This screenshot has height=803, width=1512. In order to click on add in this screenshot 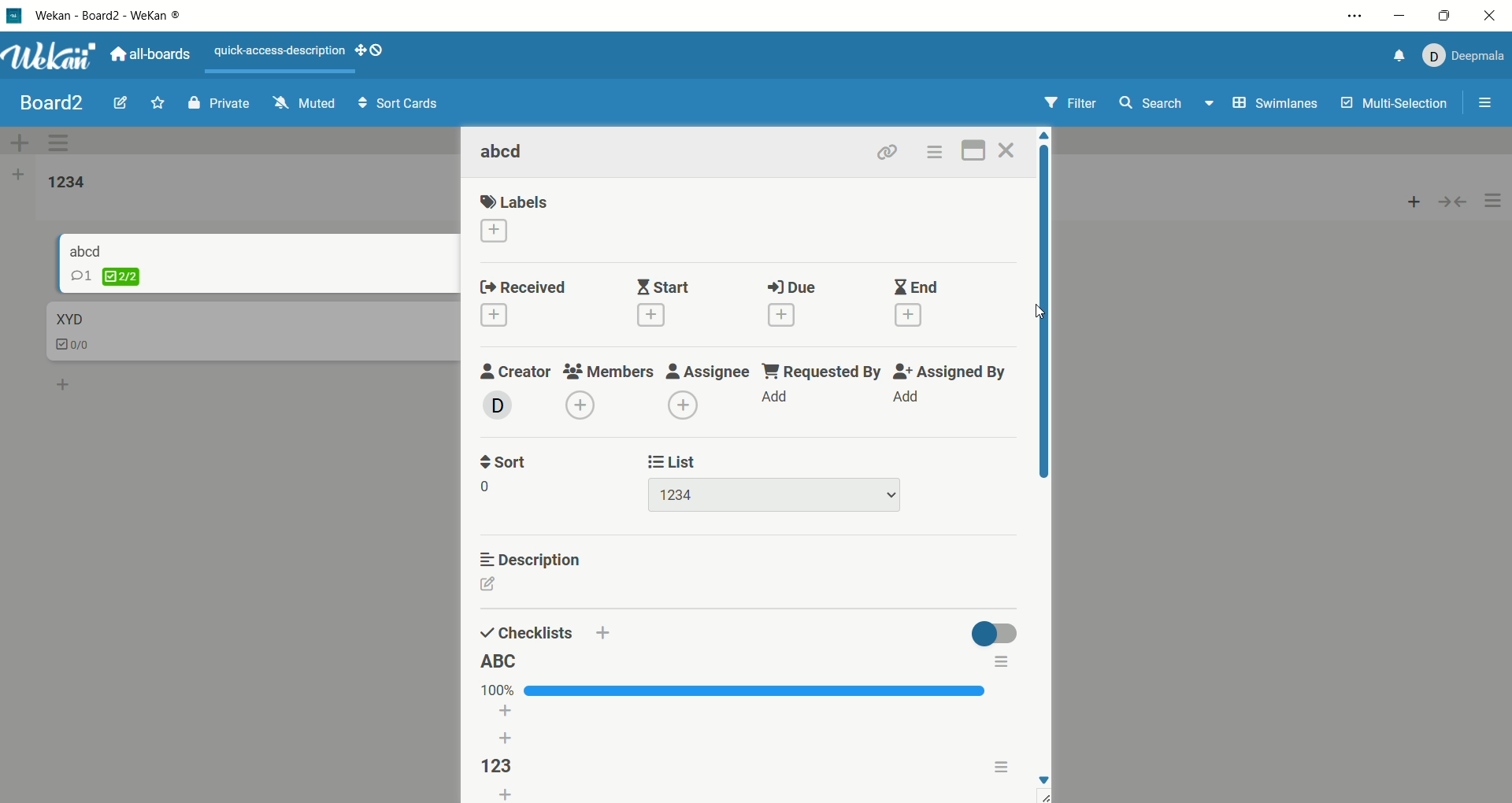, I will do `click(782, 315)`.